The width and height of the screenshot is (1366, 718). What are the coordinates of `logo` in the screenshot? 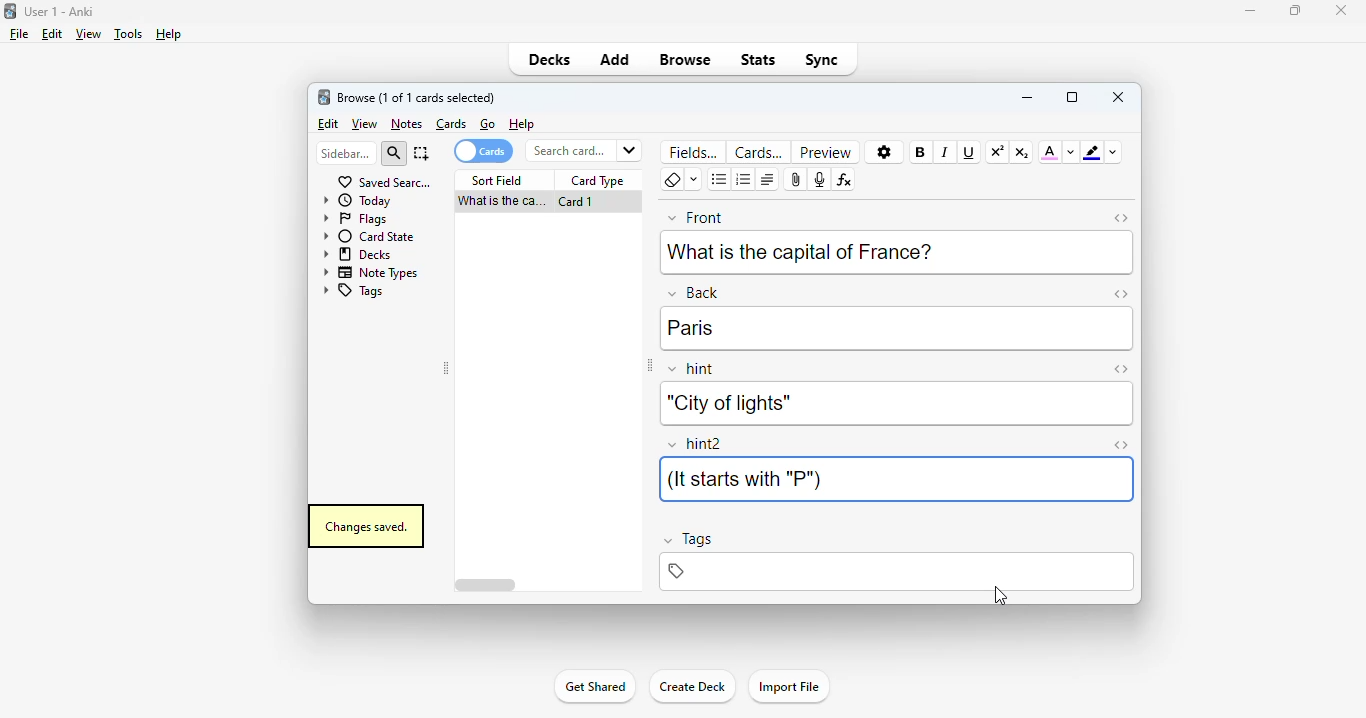 It's located at (323, 96).